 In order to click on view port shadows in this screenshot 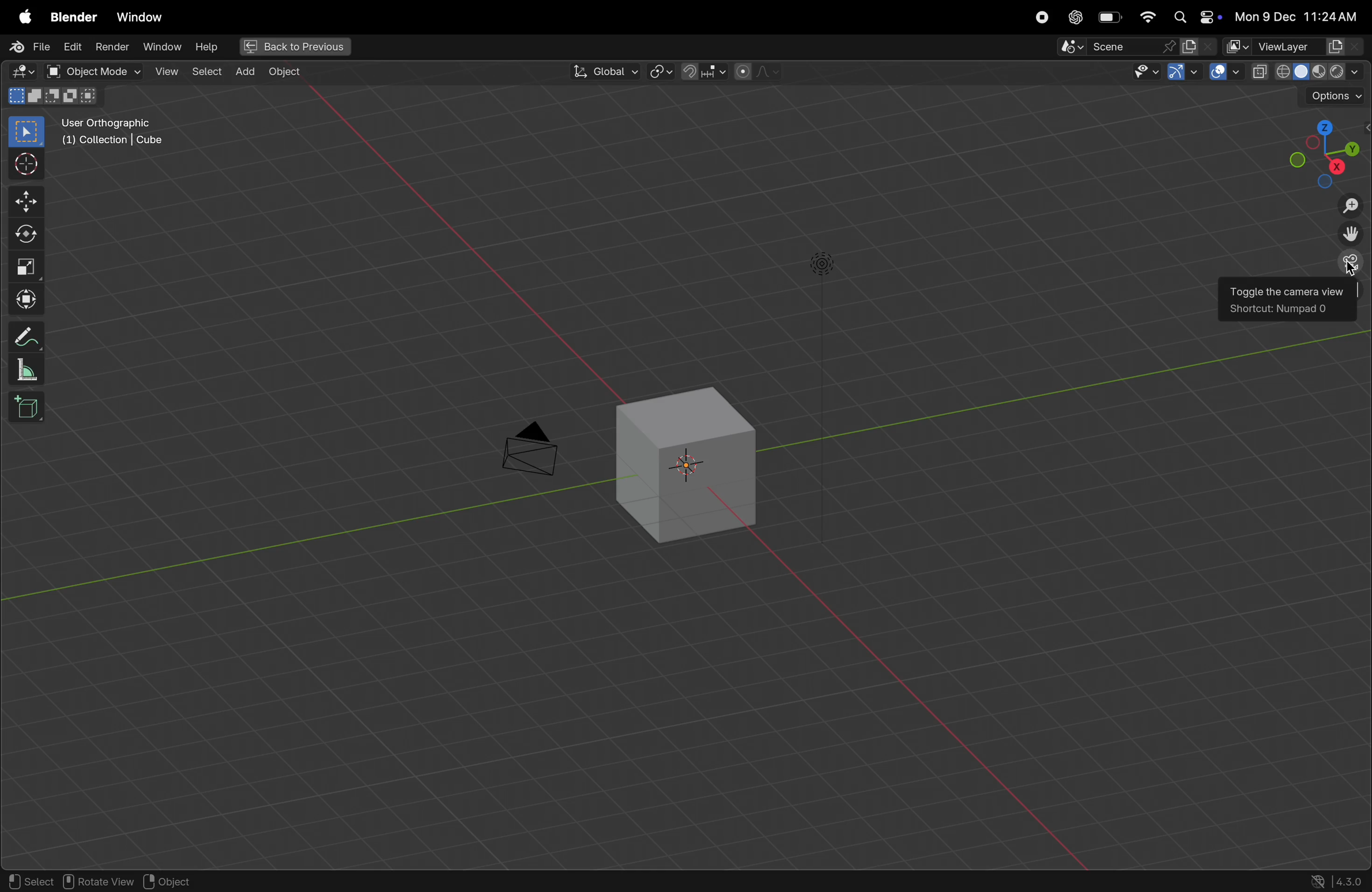, I will do `click(1306, 70)`.